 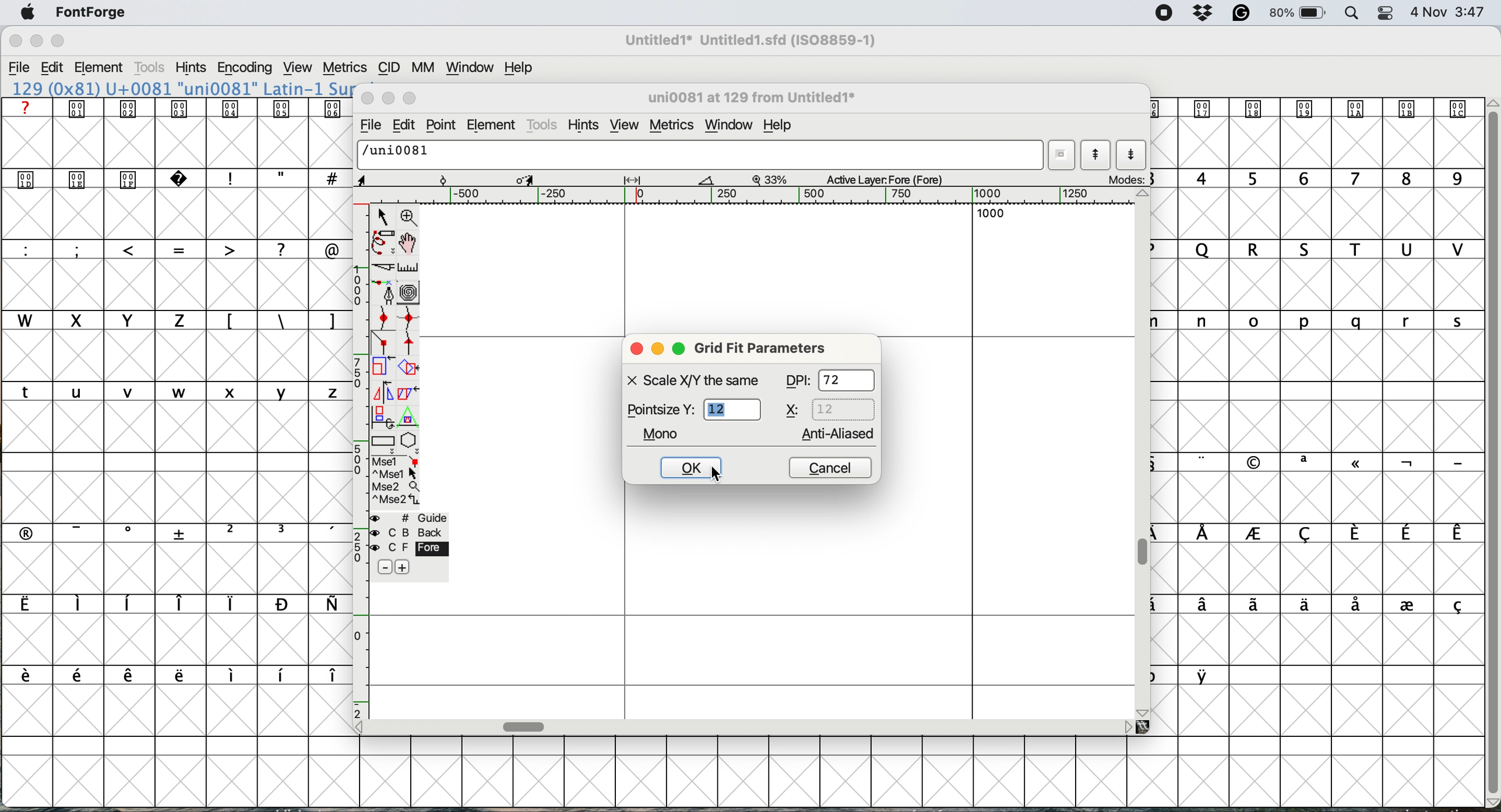 What do you see at coordinates (57, 41) in the screenshot?
I see `Maximize` at bounding box center [57, 41].